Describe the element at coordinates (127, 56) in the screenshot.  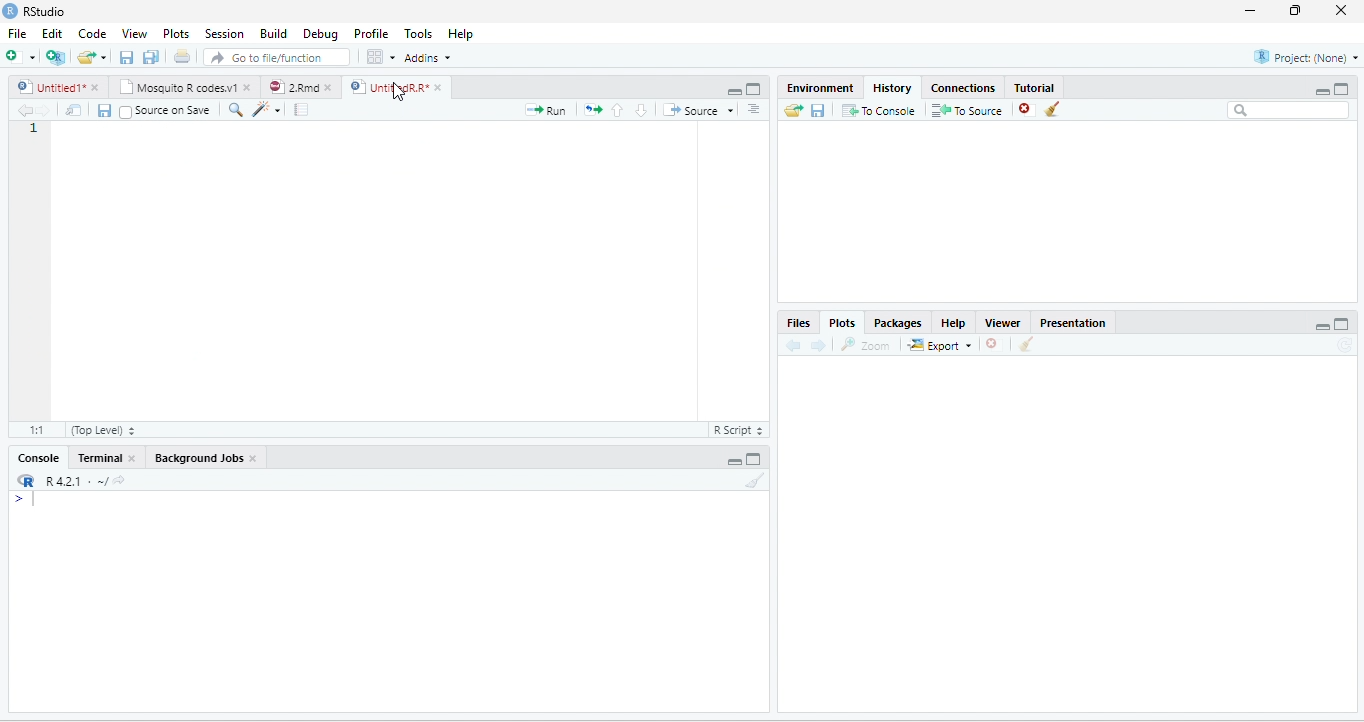
I see `Save current document` at that location.